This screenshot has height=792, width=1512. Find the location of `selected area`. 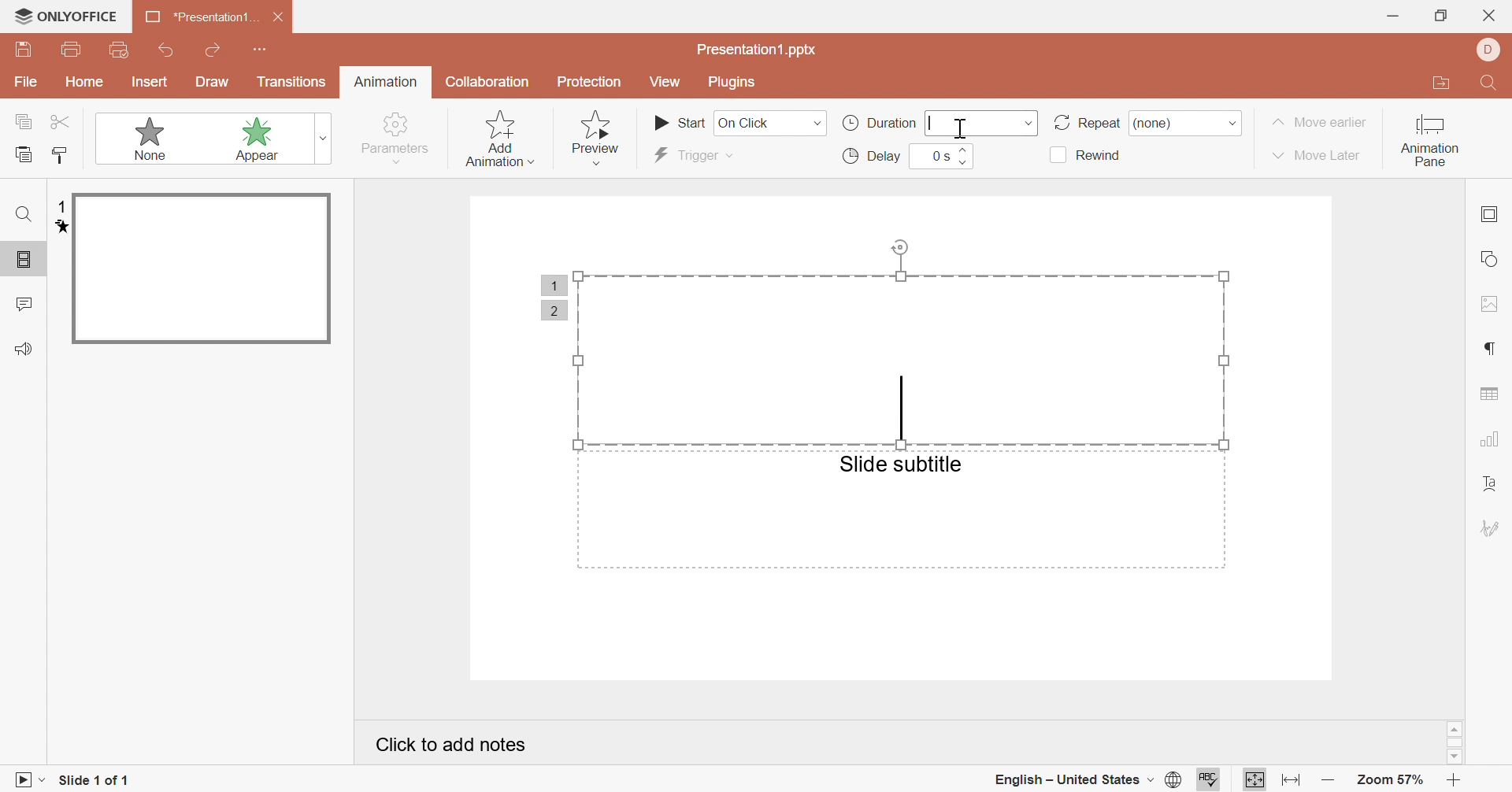

selected area is located at coordinates (906, 341).